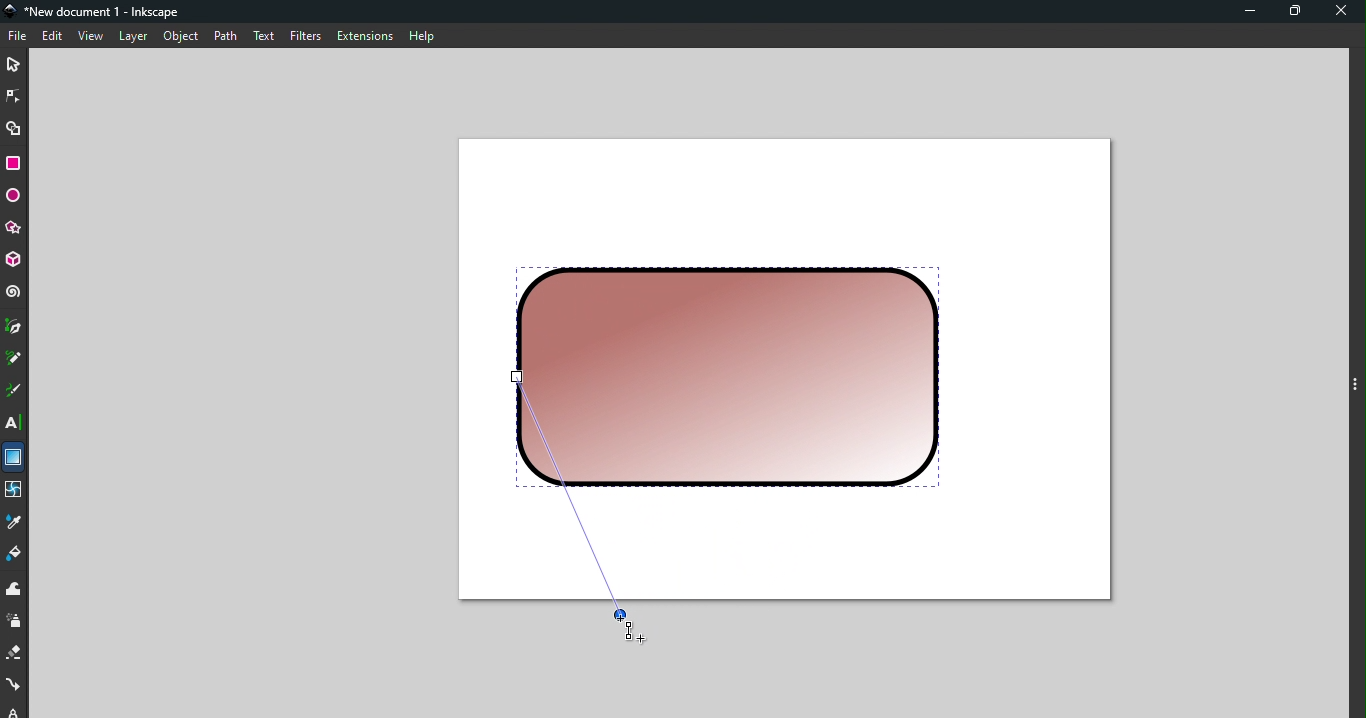 The image size is (1366, 718). What do you see at coordinates (15, 260) in the screenshot?
I see `3D box tool` at bounding box center [15, 260].